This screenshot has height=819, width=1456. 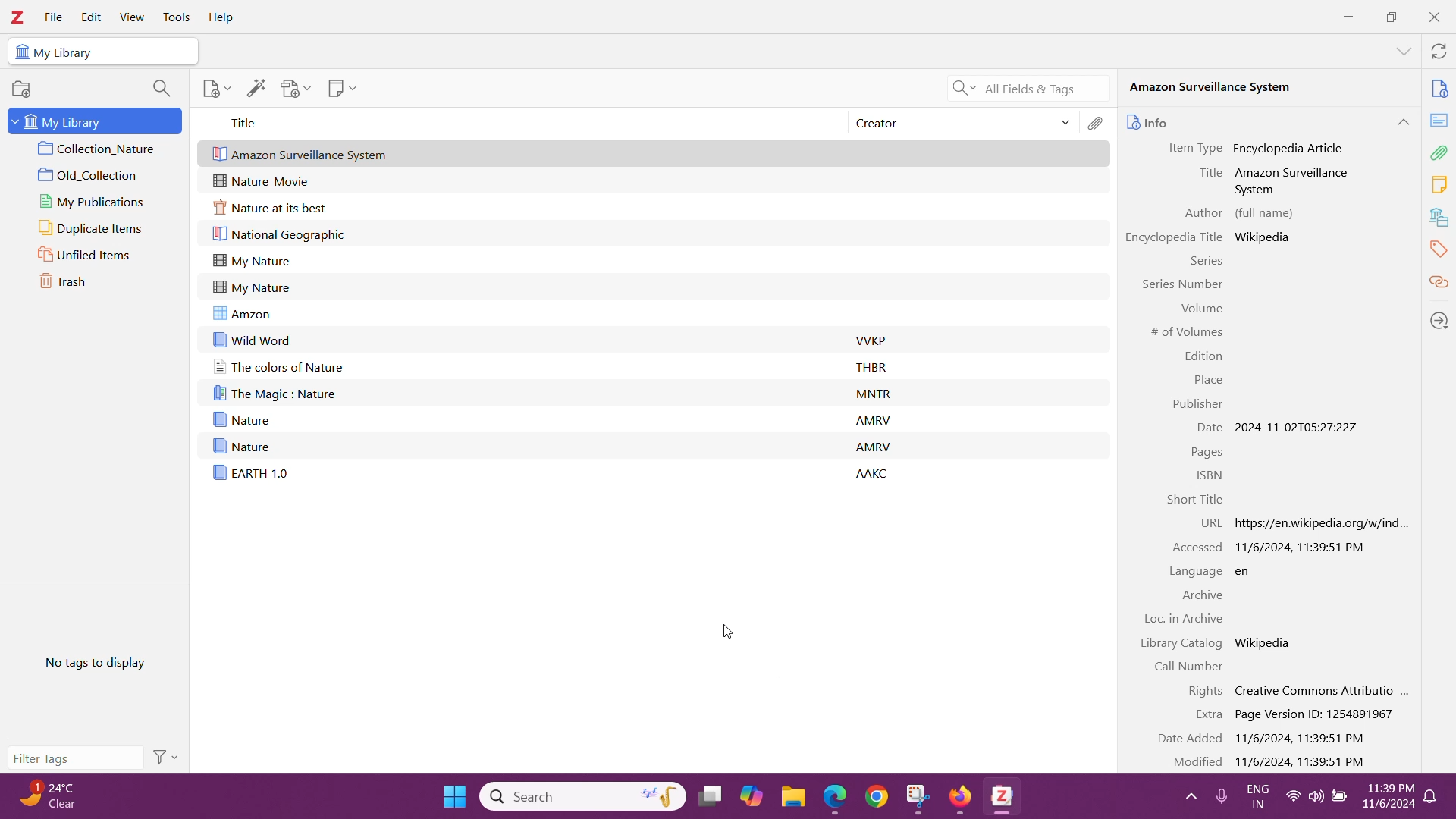 What do you see at coordinates (1441, 52) in the screenshot?
I see `Sync with zotero.org` at bounding box center [1441, 52].